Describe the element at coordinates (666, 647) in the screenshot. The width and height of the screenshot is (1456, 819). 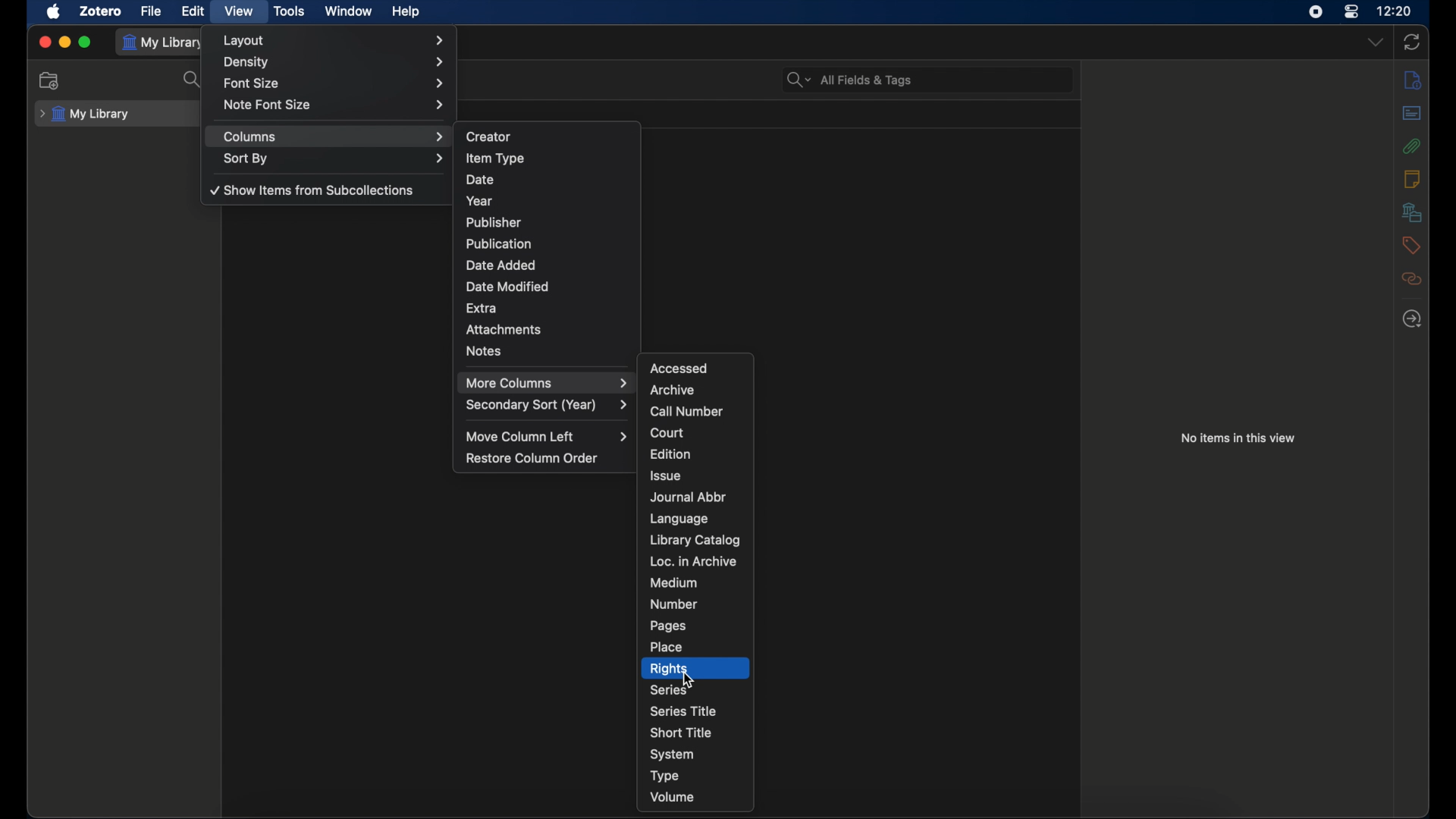
I see `place` at that location.